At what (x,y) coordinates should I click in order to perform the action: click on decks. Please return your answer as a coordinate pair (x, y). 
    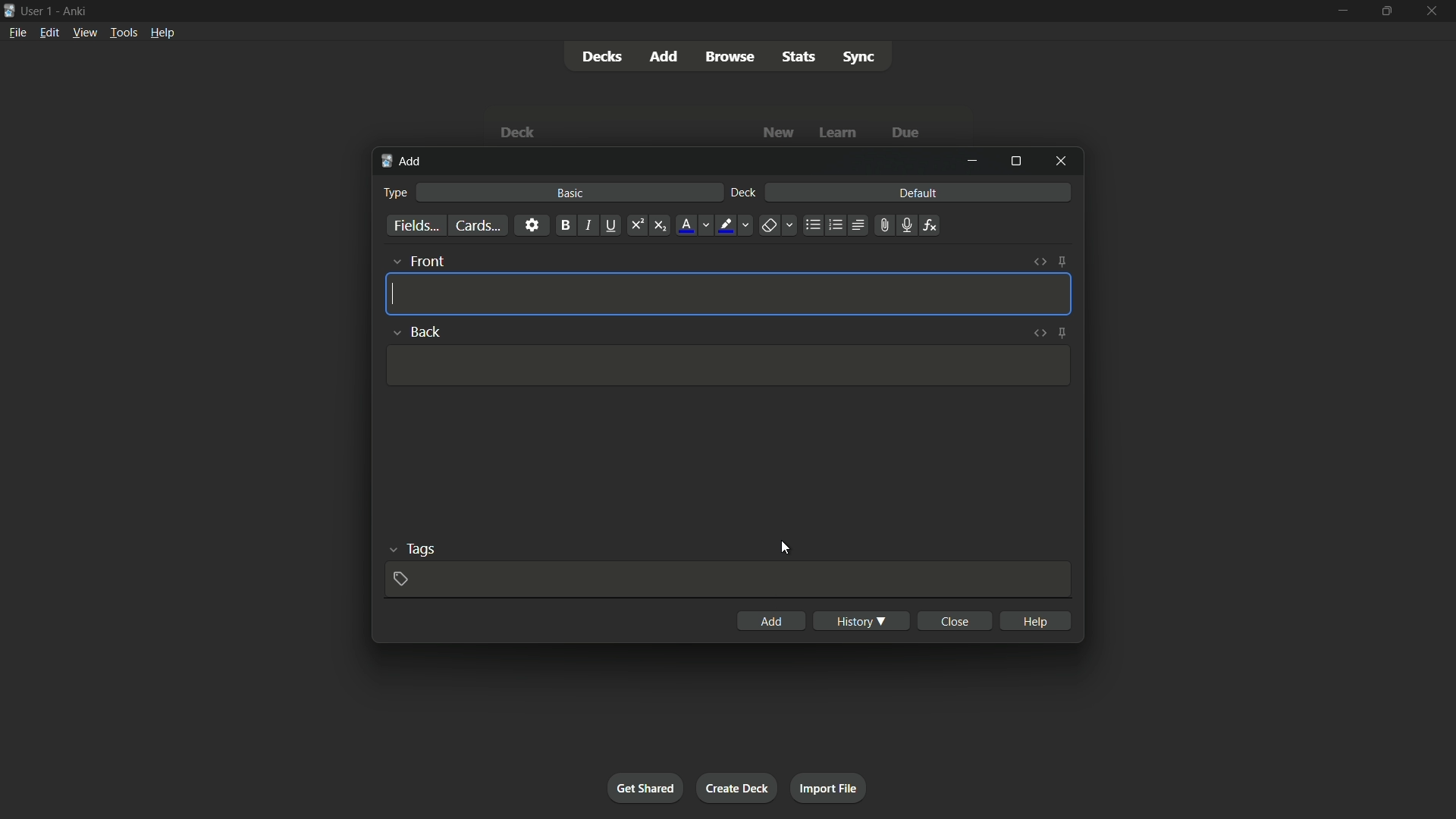
    Looking at the image, I should click on (603, 58).